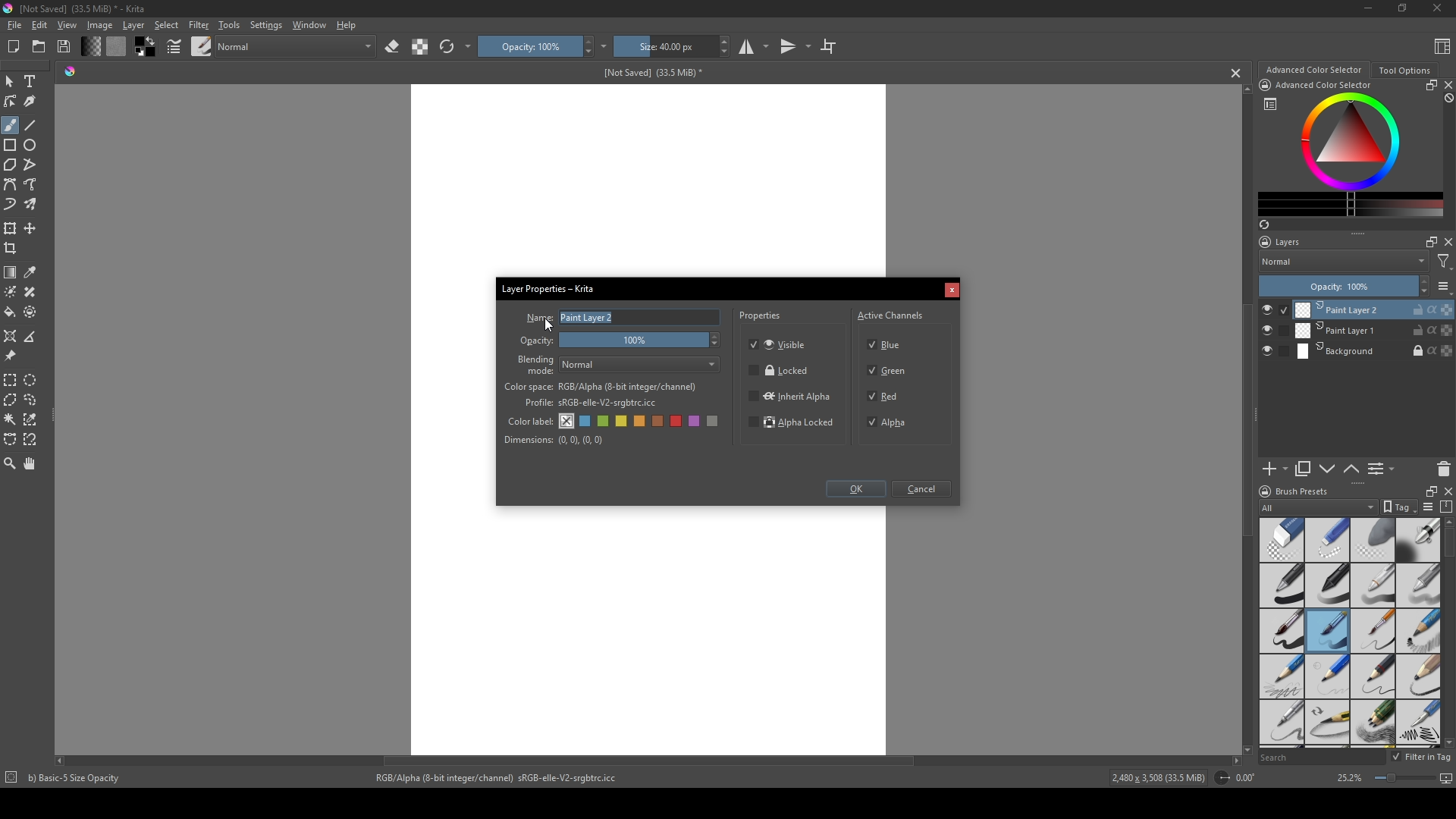 Image resolution: width=1456 pixels, height=819 pixels. Describe the element at coordinates (1263, 224) in the screenshot. I see `refresh` at that location.